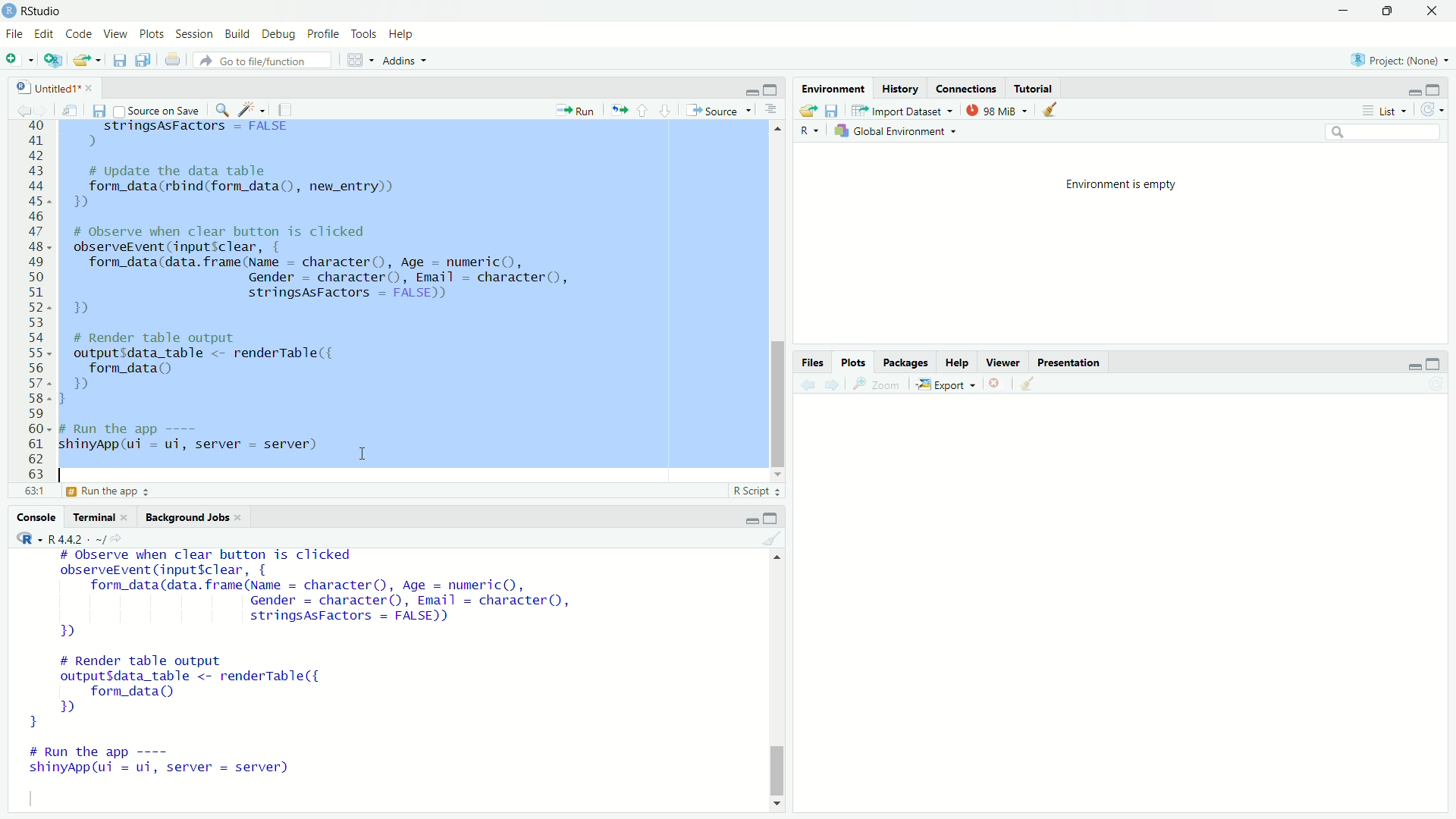  What do you see at coordinates (323, 33) in the screenshot?
I see `Profile` at bounding box center [323, 33].